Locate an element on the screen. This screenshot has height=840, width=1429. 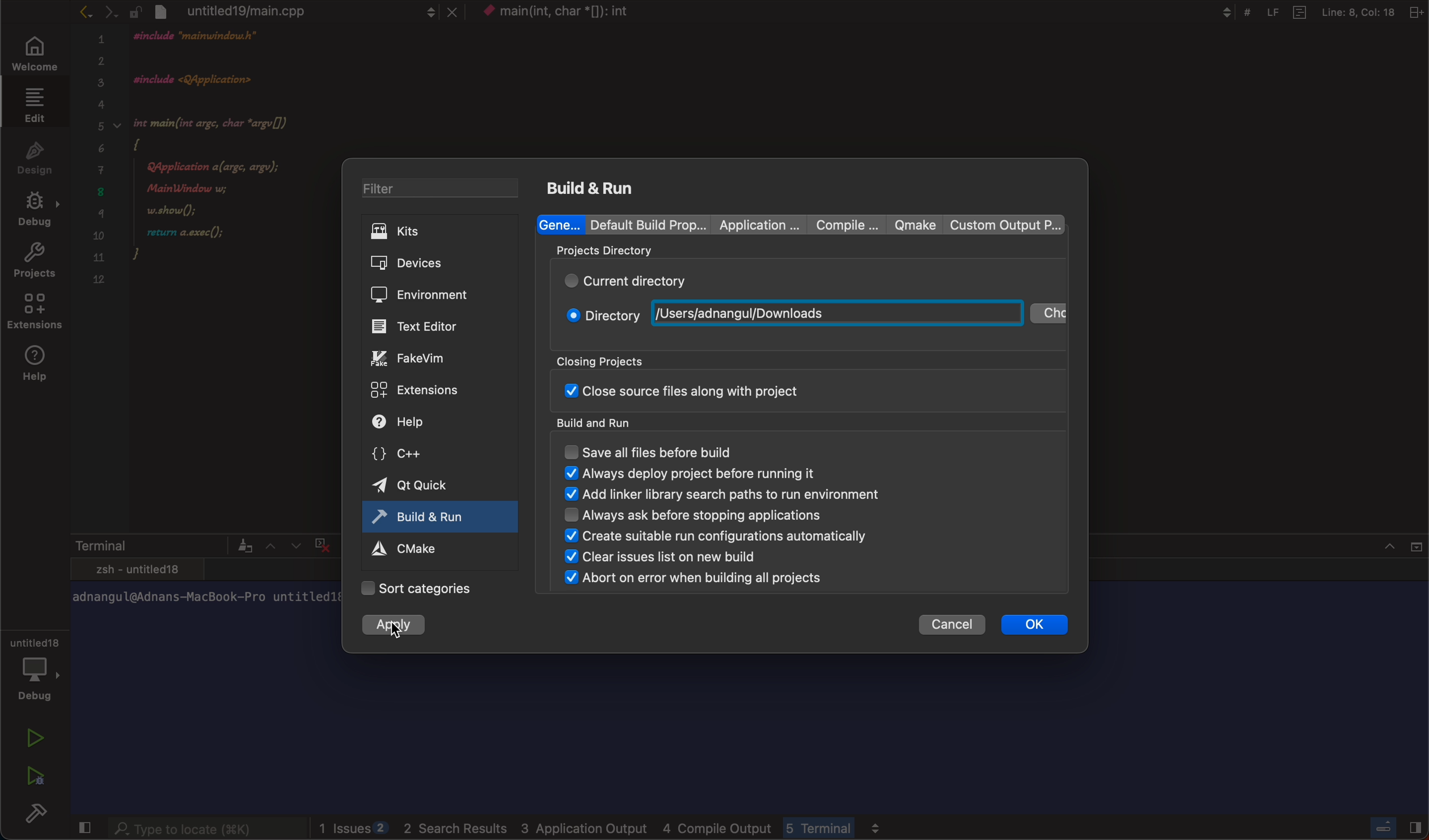
searchbar is located at coordinates (197, 826).